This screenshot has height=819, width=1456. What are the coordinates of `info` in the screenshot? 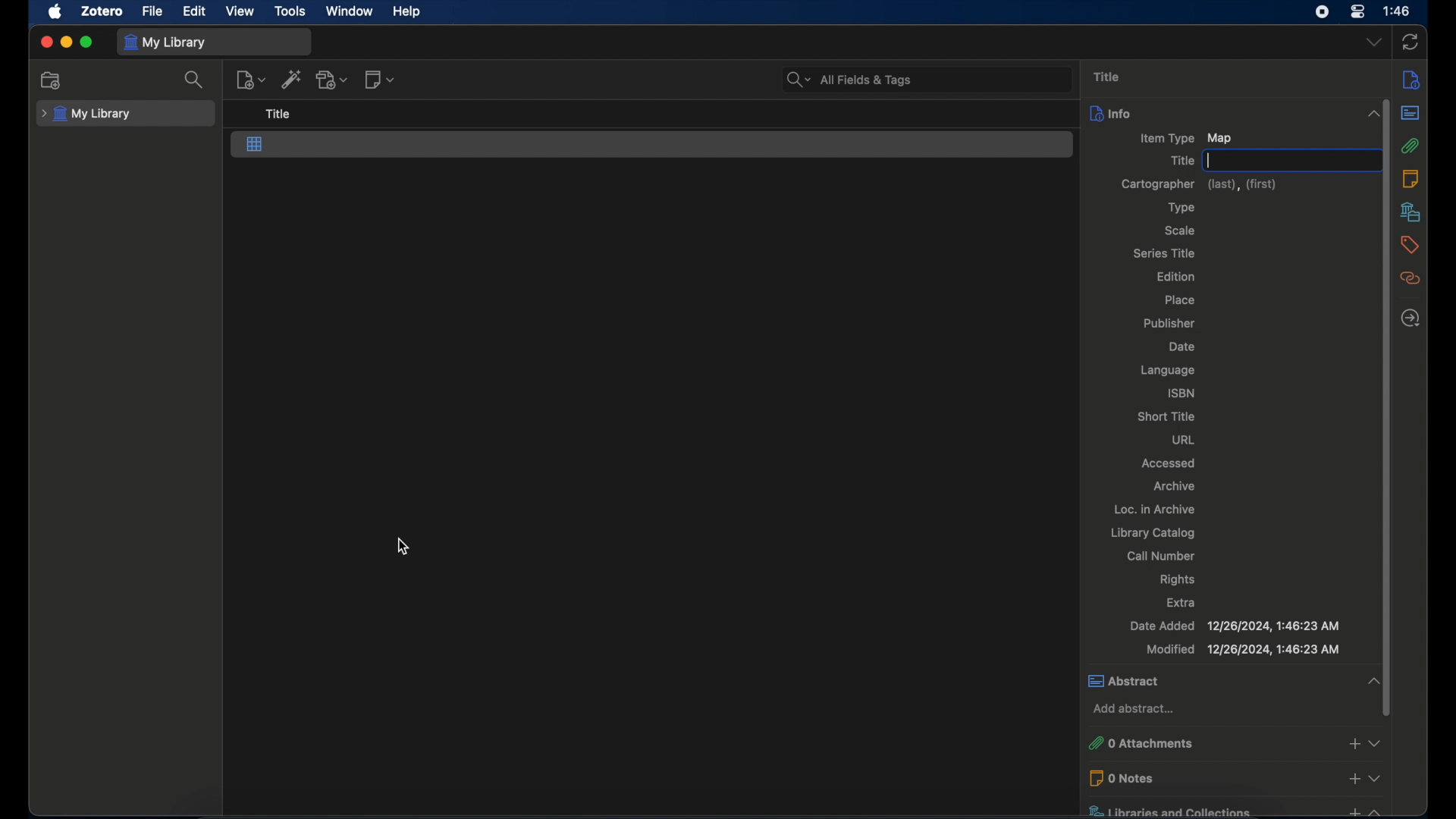 It's located at (1216, 115).